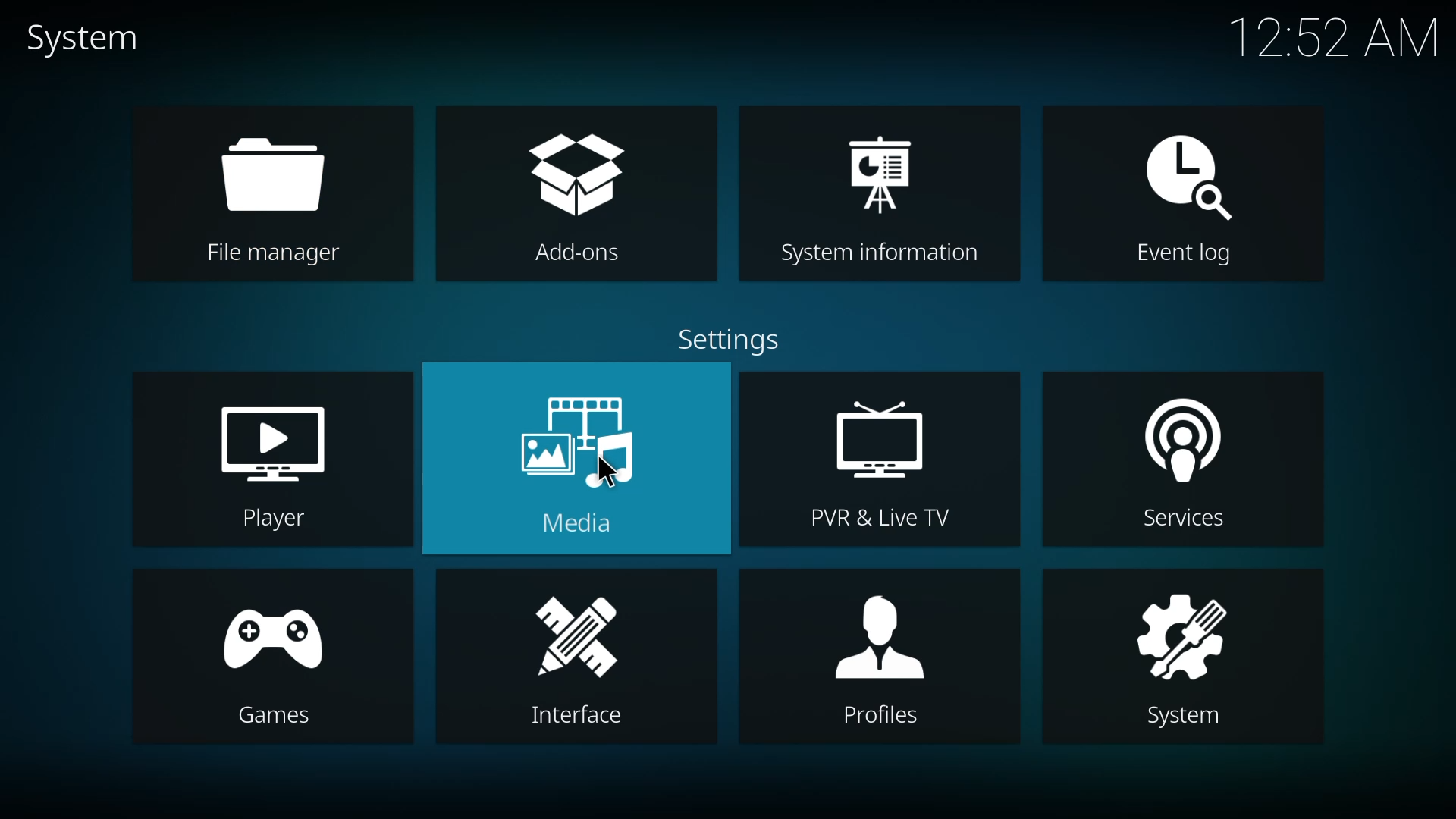  I want to click on File manager, so click(268, 253).